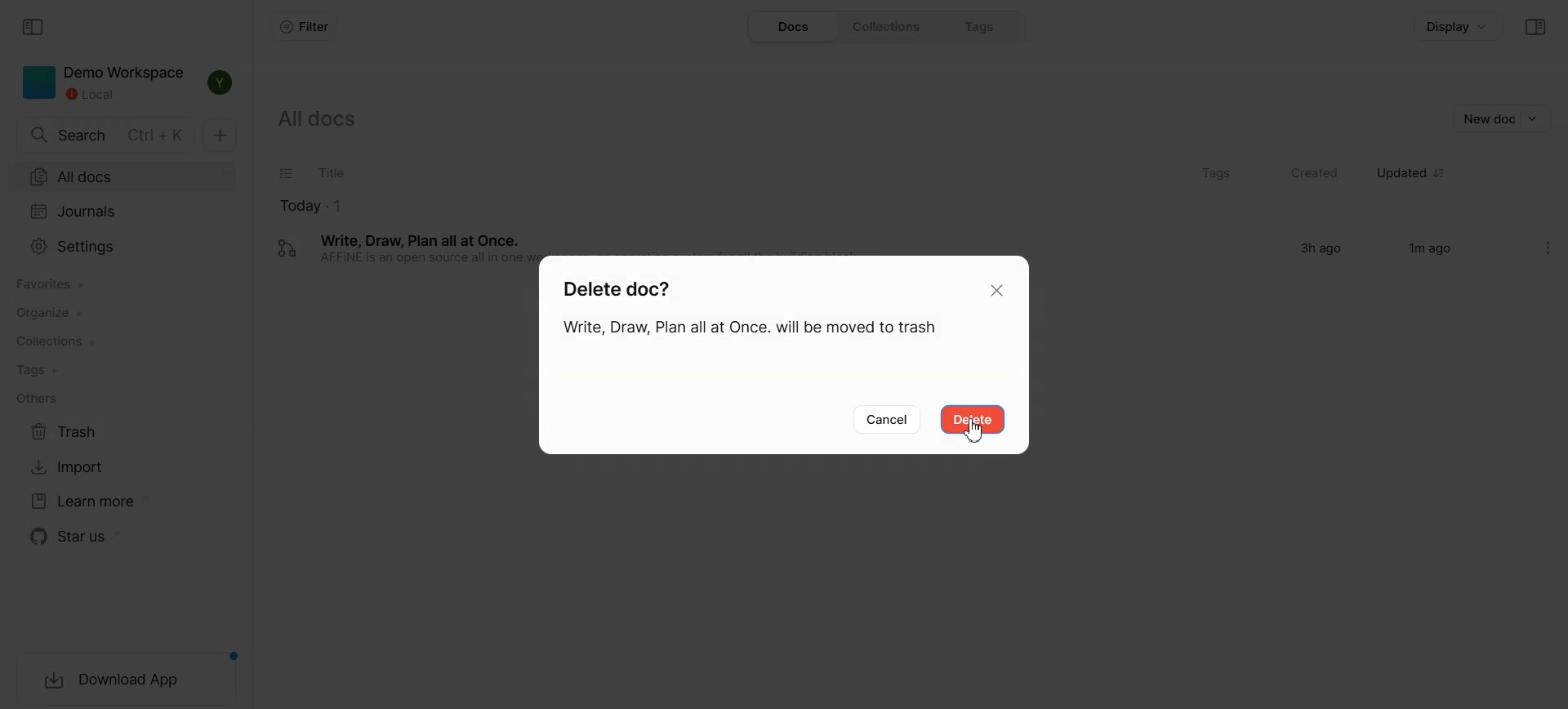 Image resolution: width=1568 pixels, height=709 pixels. I want to click on Delete doc?, so click(640, 286).